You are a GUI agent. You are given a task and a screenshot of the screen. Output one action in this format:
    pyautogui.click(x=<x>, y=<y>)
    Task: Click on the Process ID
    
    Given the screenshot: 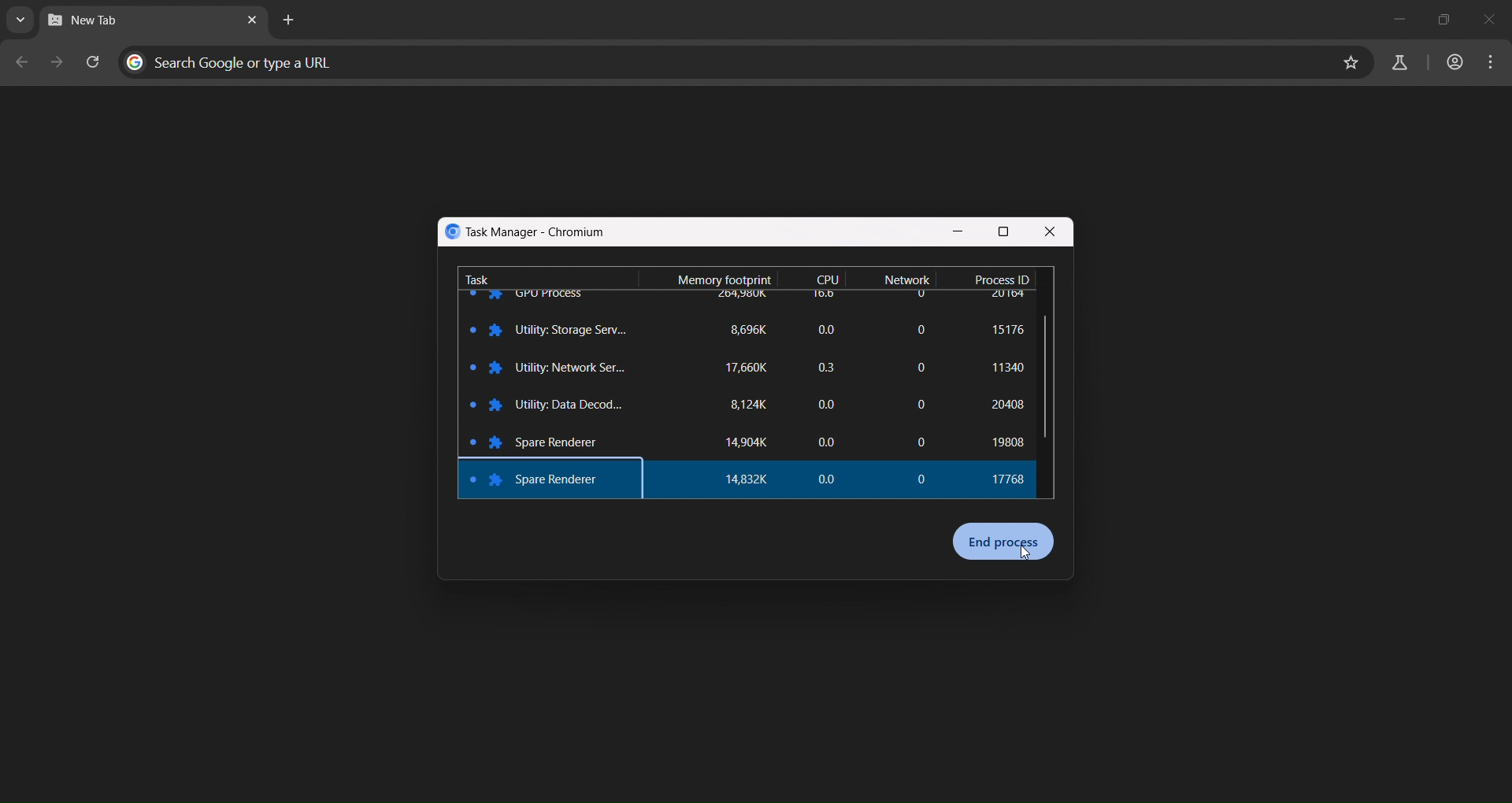 What is the action you would take?
    pyautogui.click(x=1001, y=278)
    